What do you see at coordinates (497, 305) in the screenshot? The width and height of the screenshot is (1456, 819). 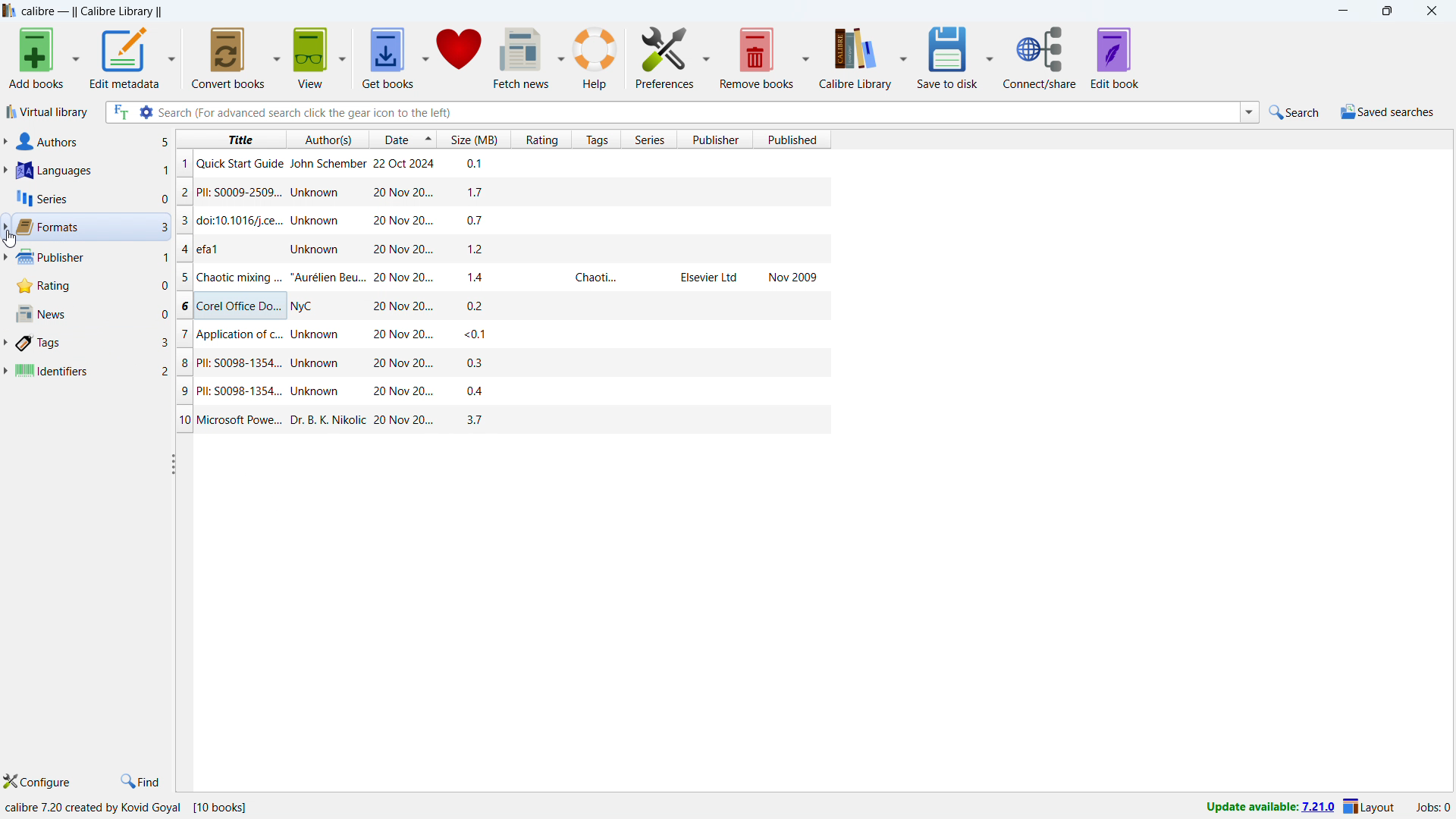 I see `one book entry` at bounding box center [497, 305].